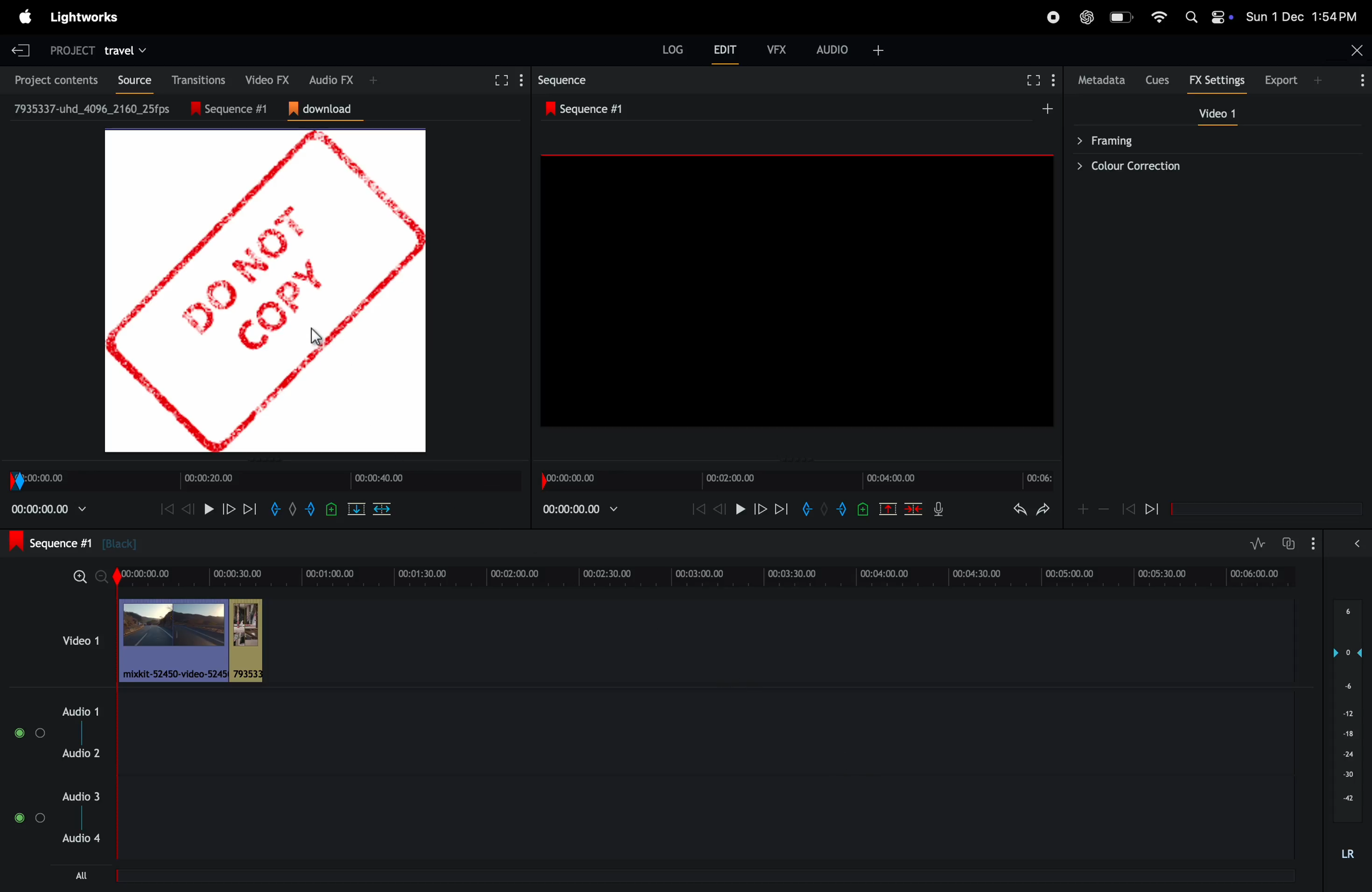 This screenshot has height=892, width=1372. I want to click on record, so click(1053, 17).